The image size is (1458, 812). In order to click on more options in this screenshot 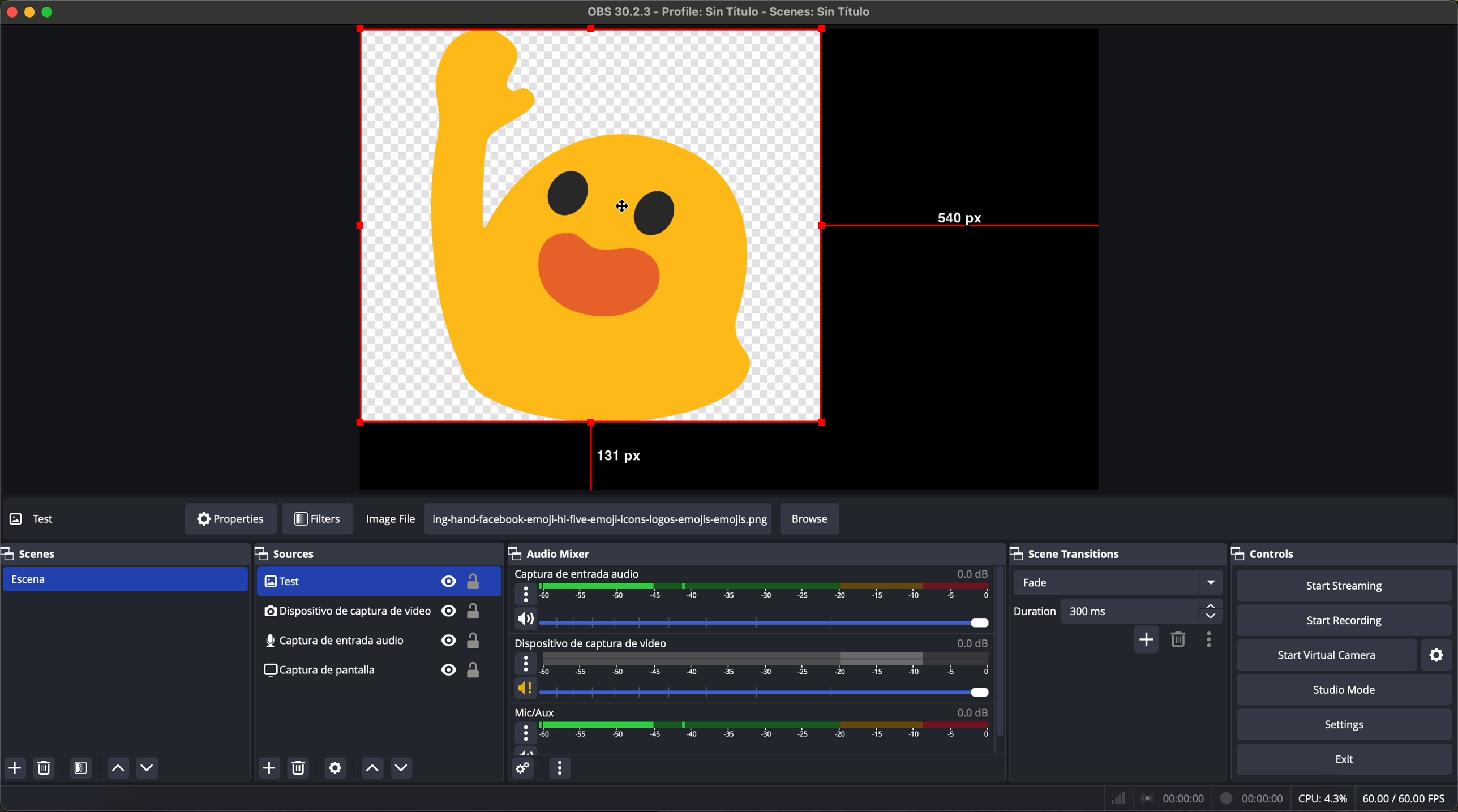, I will do `click(527, 733)`.